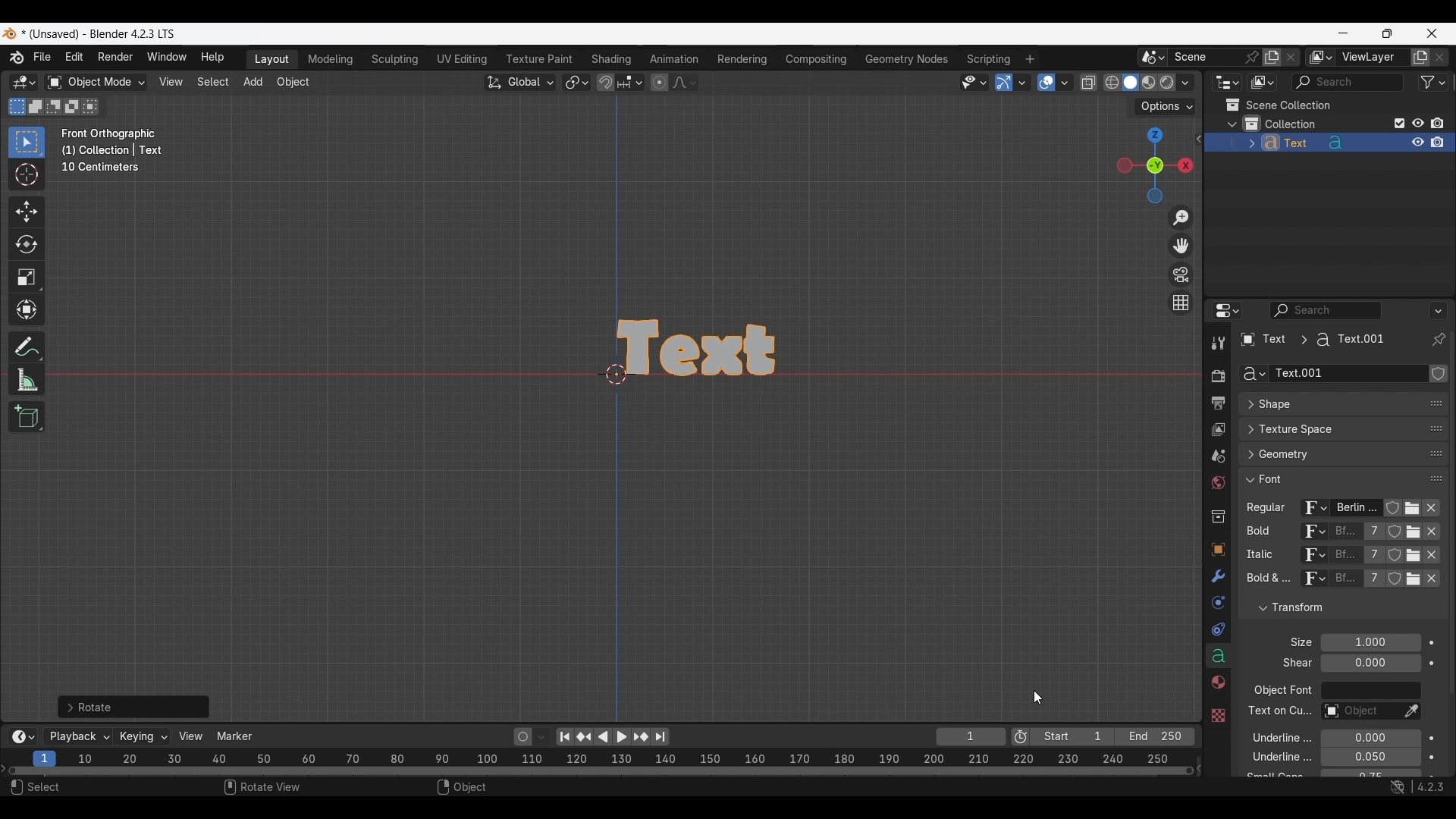 The width and height of the screenshot is (1456, 819). Describe the element at coordinates (1434, 455) in the screenshot. I see `change position` at that location.